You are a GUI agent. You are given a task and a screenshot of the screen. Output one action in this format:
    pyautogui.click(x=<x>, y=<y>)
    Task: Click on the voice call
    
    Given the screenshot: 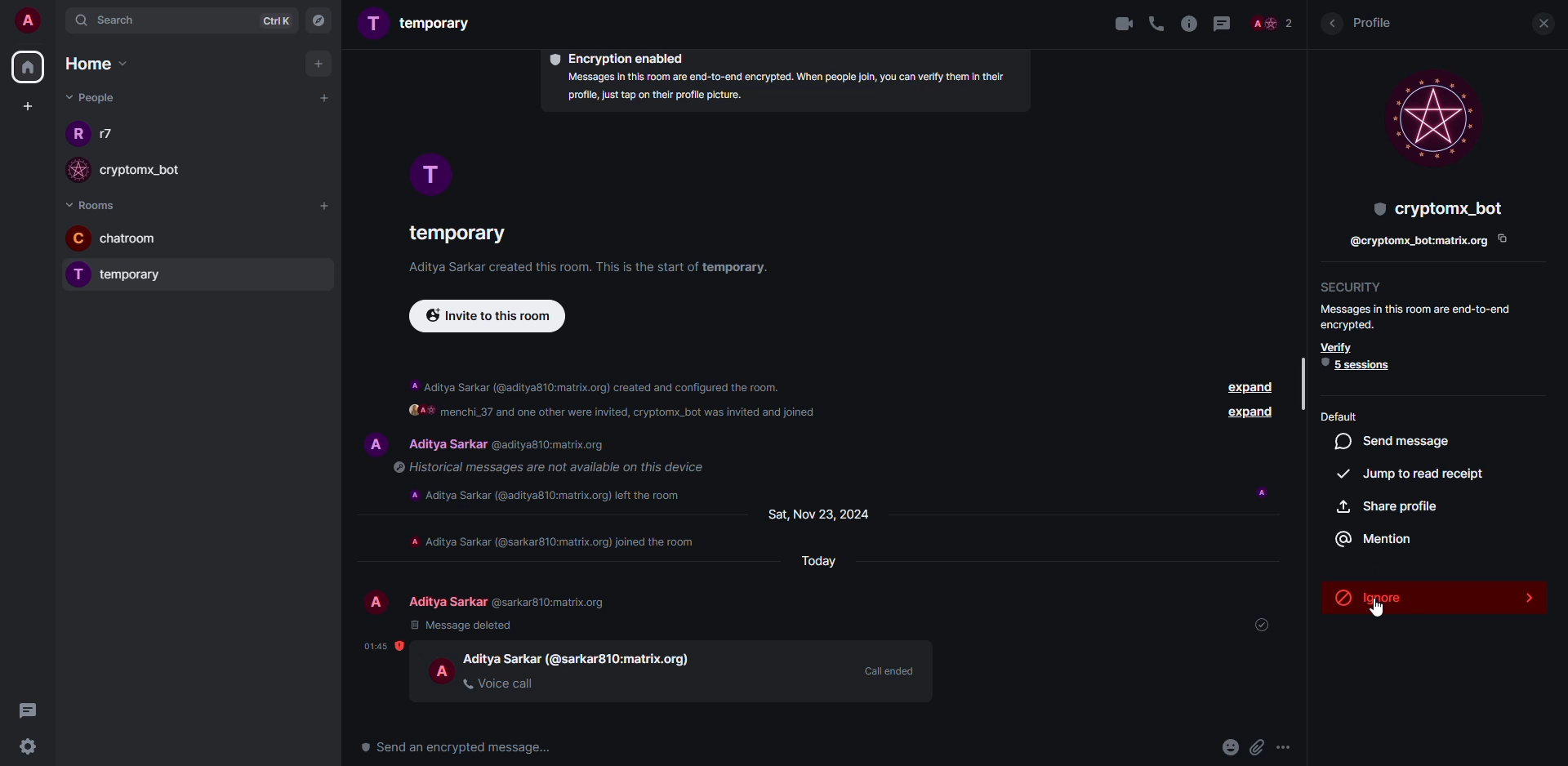 What is the action you would take?
    pyautogui.click(x=501, y=683)
    